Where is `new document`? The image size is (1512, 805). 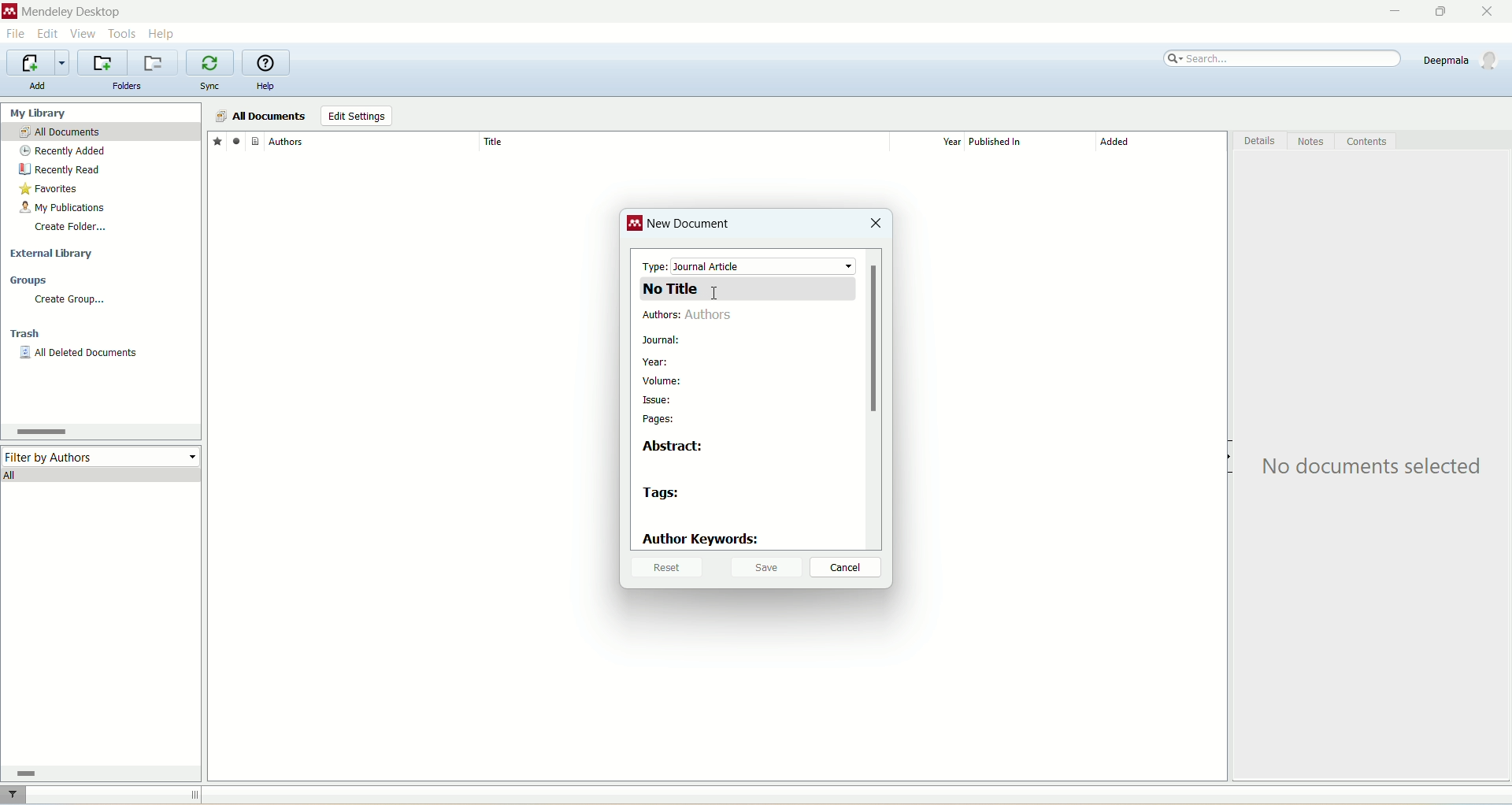 new document is located at coordinates (691, 227).